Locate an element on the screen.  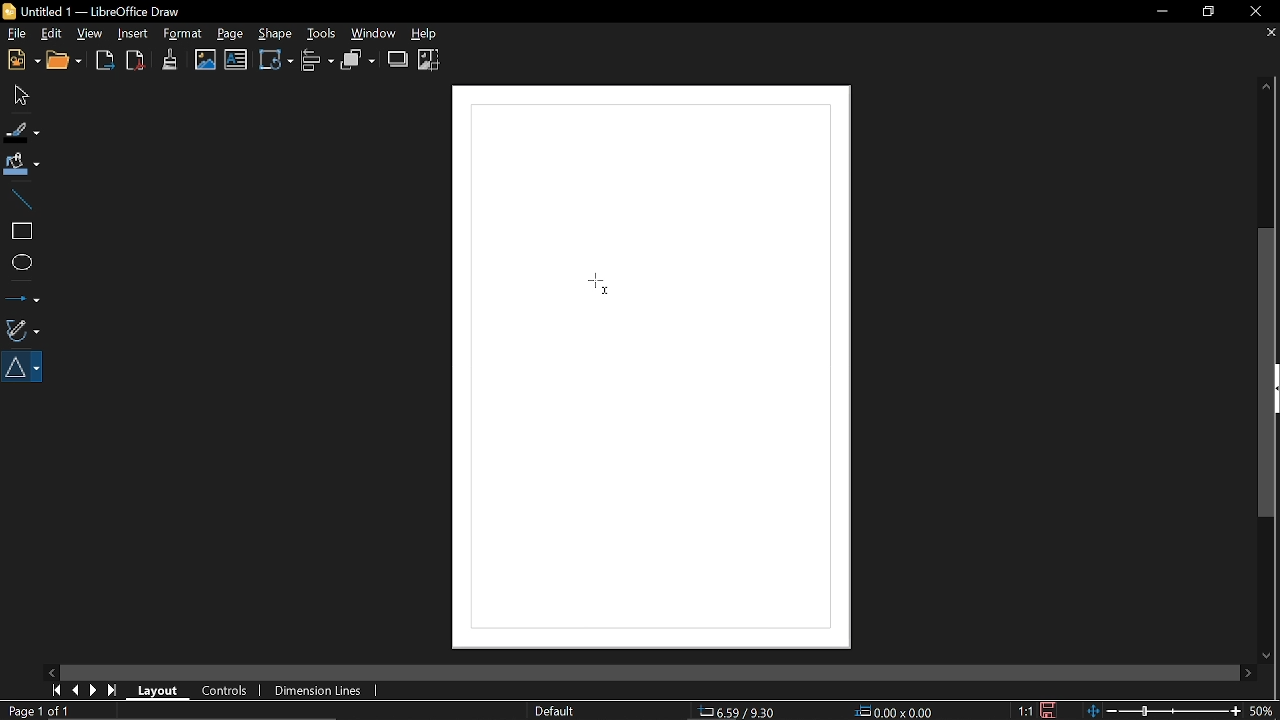
Lines and arrows is located at coordinates (22, 295).